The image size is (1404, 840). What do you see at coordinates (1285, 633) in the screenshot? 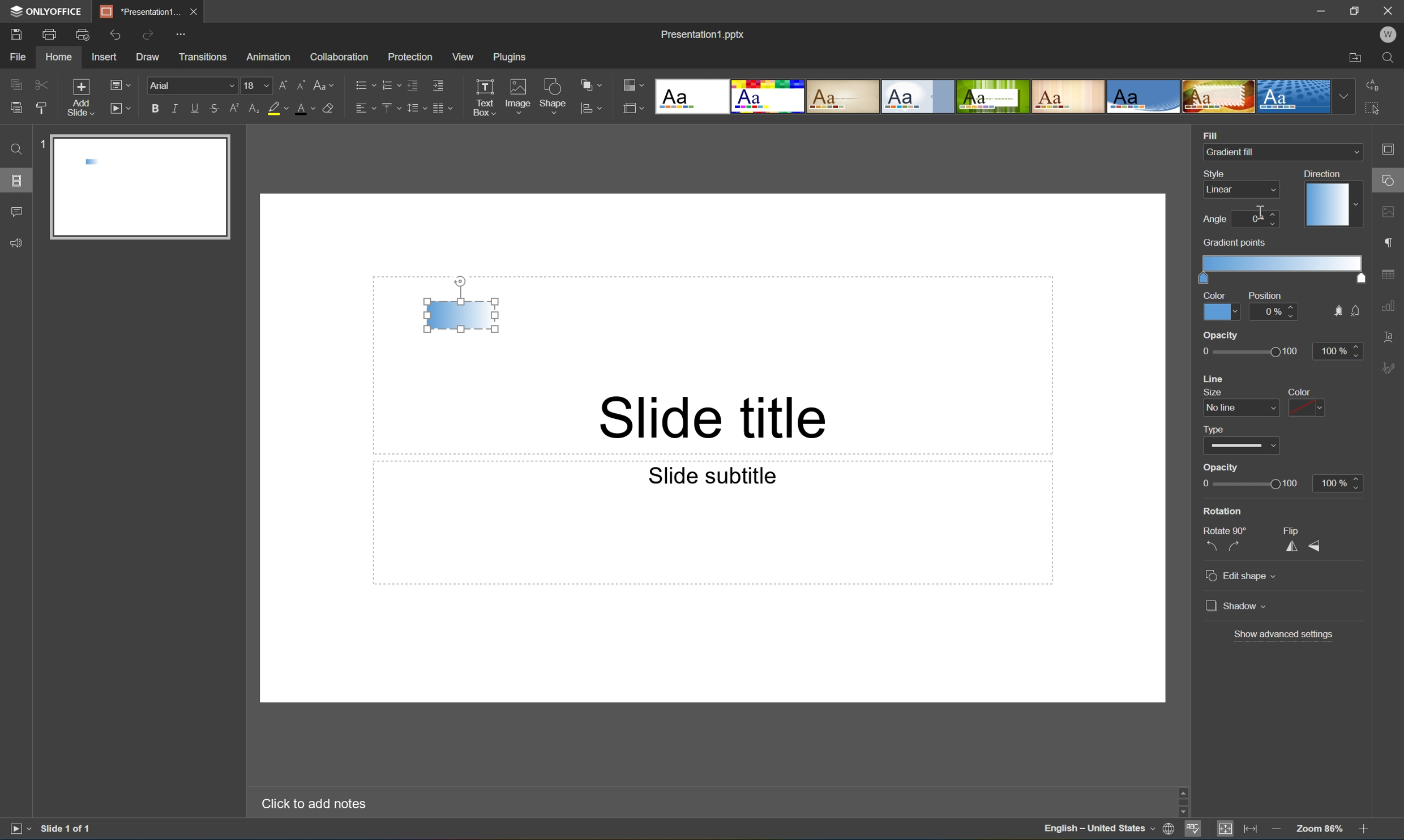
I see `Show advanced settings` at bounding box center [1285, 633].